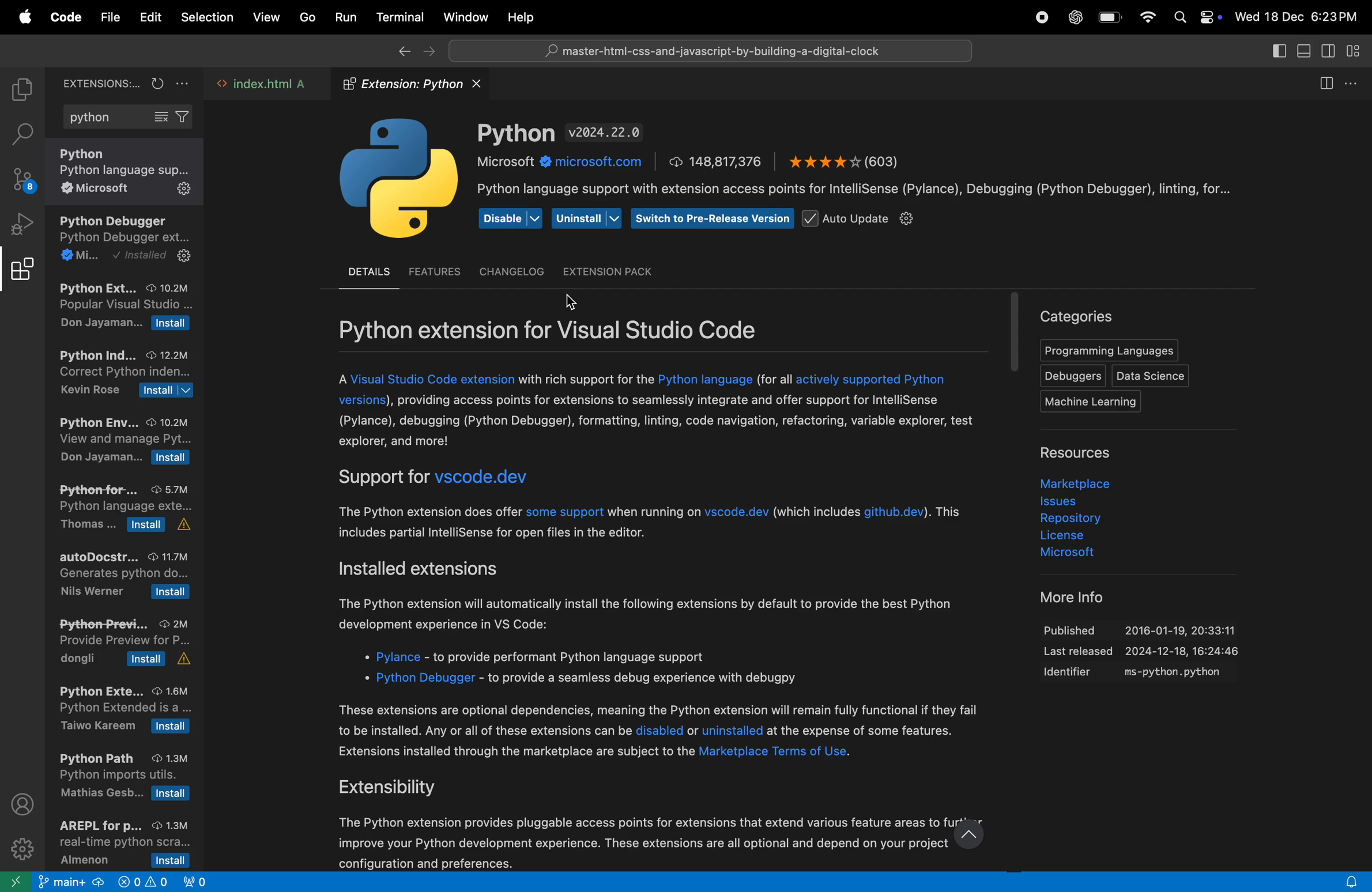 The image size is (1372, 892). I want to click on details, so click(367, 272).